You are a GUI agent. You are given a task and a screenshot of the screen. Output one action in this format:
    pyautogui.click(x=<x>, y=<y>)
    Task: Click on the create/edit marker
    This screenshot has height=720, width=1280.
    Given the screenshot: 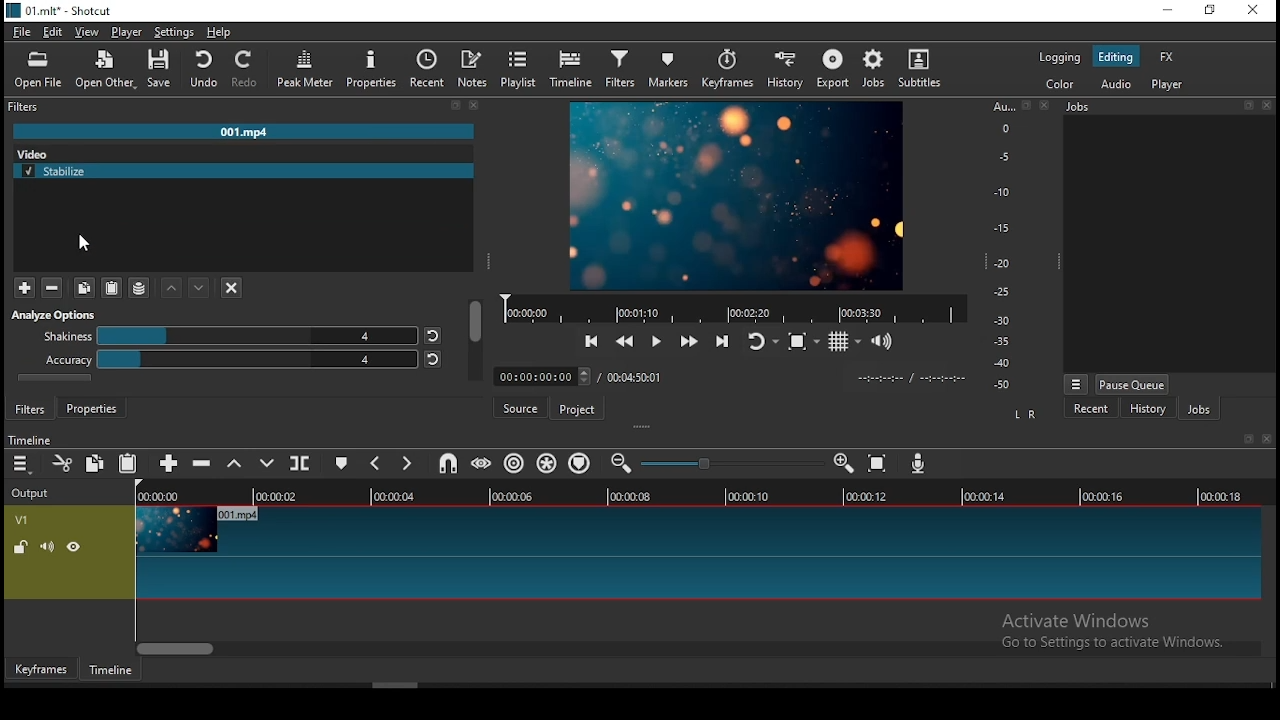 What is the action you would take?
    pyautogui.click(x=342, y=464)
    